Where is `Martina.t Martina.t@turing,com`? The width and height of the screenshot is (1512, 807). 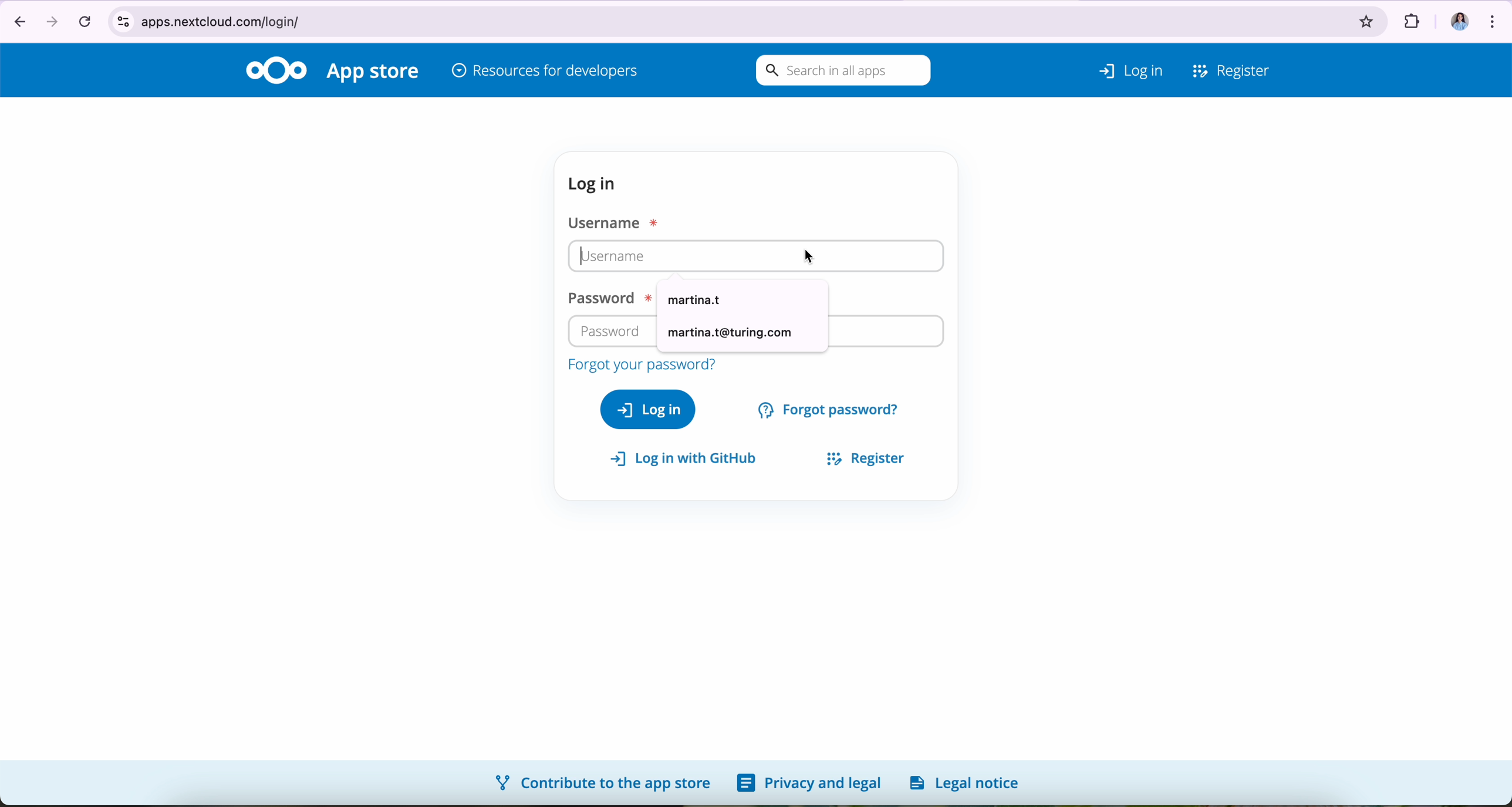
Martina.t Martina.t@turing,com is located at coordinates (743, 315).